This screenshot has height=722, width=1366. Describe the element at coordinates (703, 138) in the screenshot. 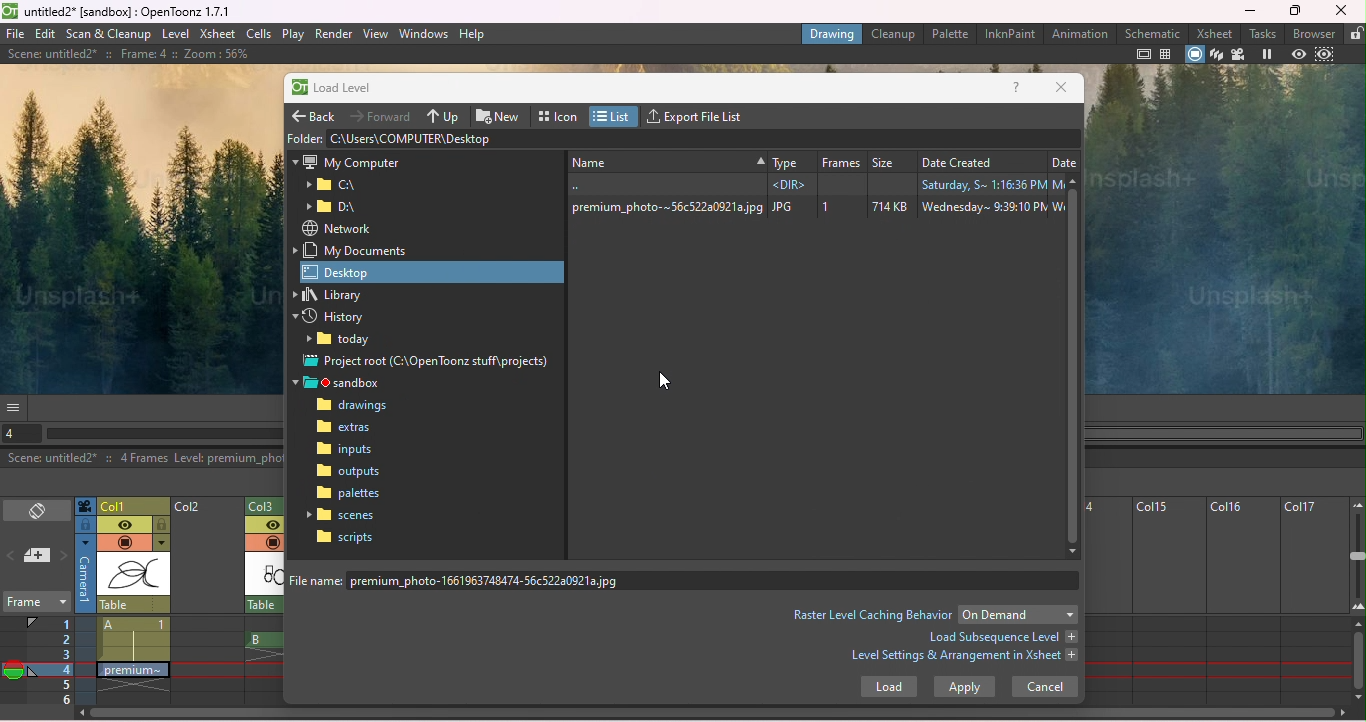

I see `address bar` at that location.